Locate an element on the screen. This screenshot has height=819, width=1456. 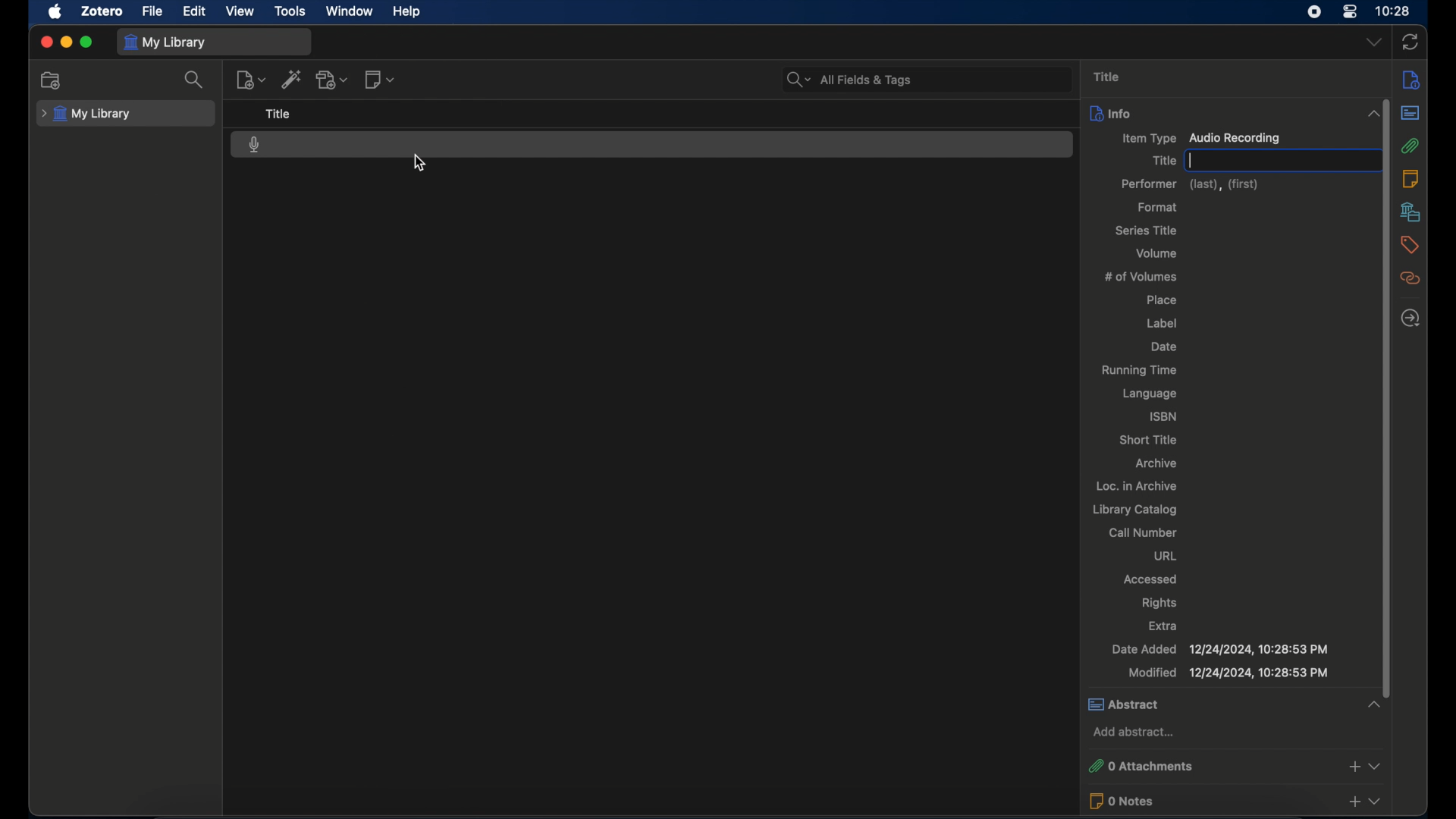
locate is located at coordinates (1412, 318).